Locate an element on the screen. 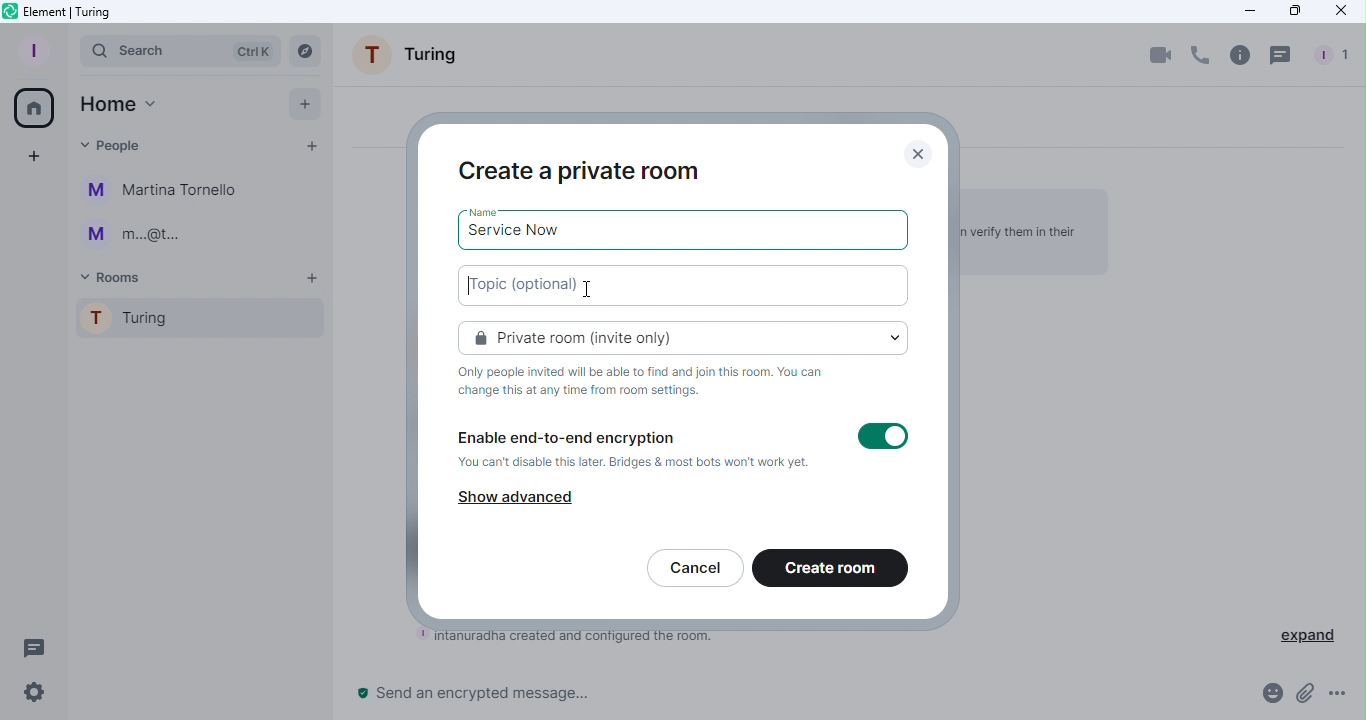 The height and width of the screenshot is (720, 1366). Information is located at coordinates (650, 382).